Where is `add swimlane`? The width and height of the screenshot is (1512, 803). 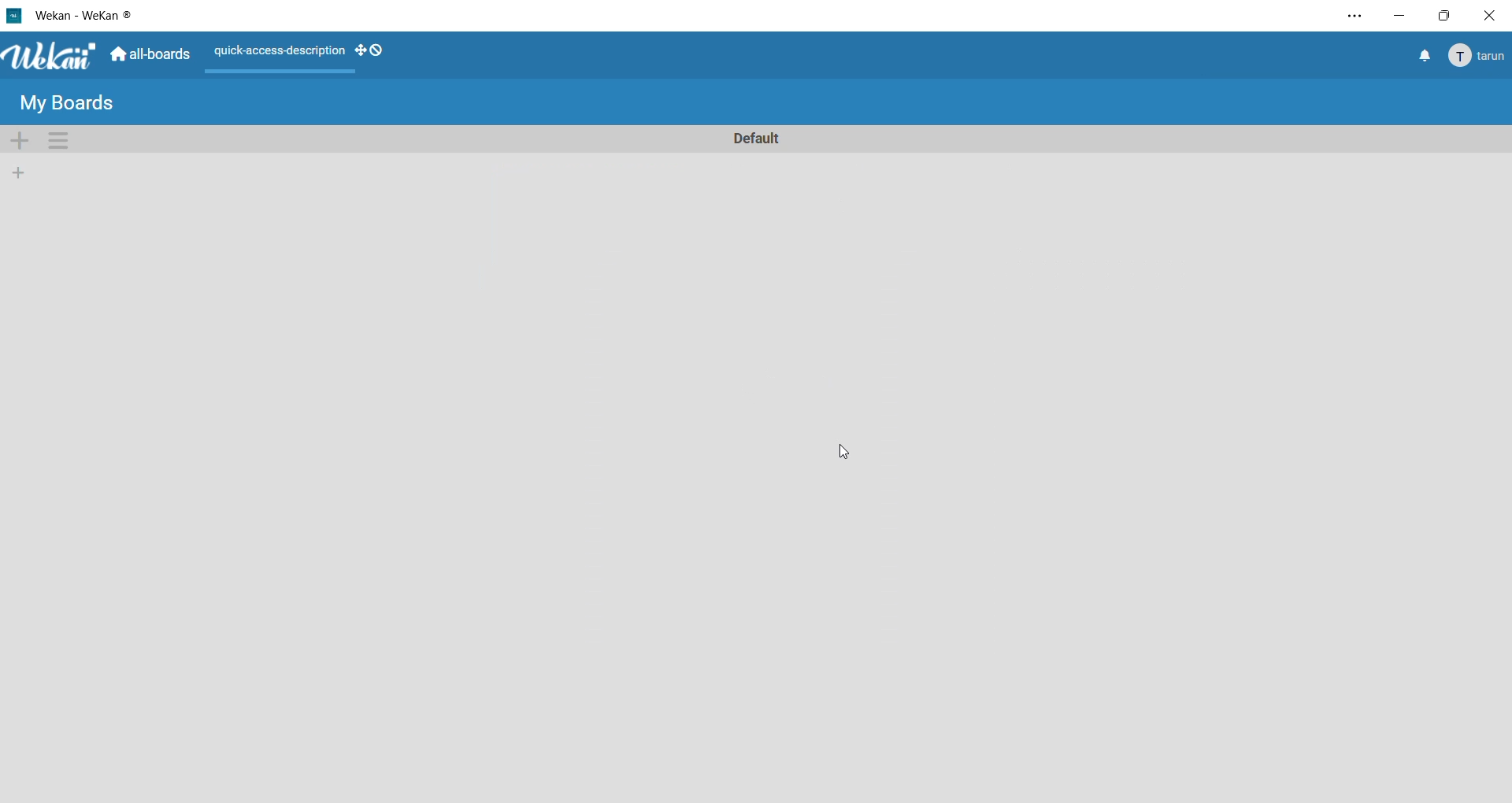 add swimlane is located at coordinates (19, 140).